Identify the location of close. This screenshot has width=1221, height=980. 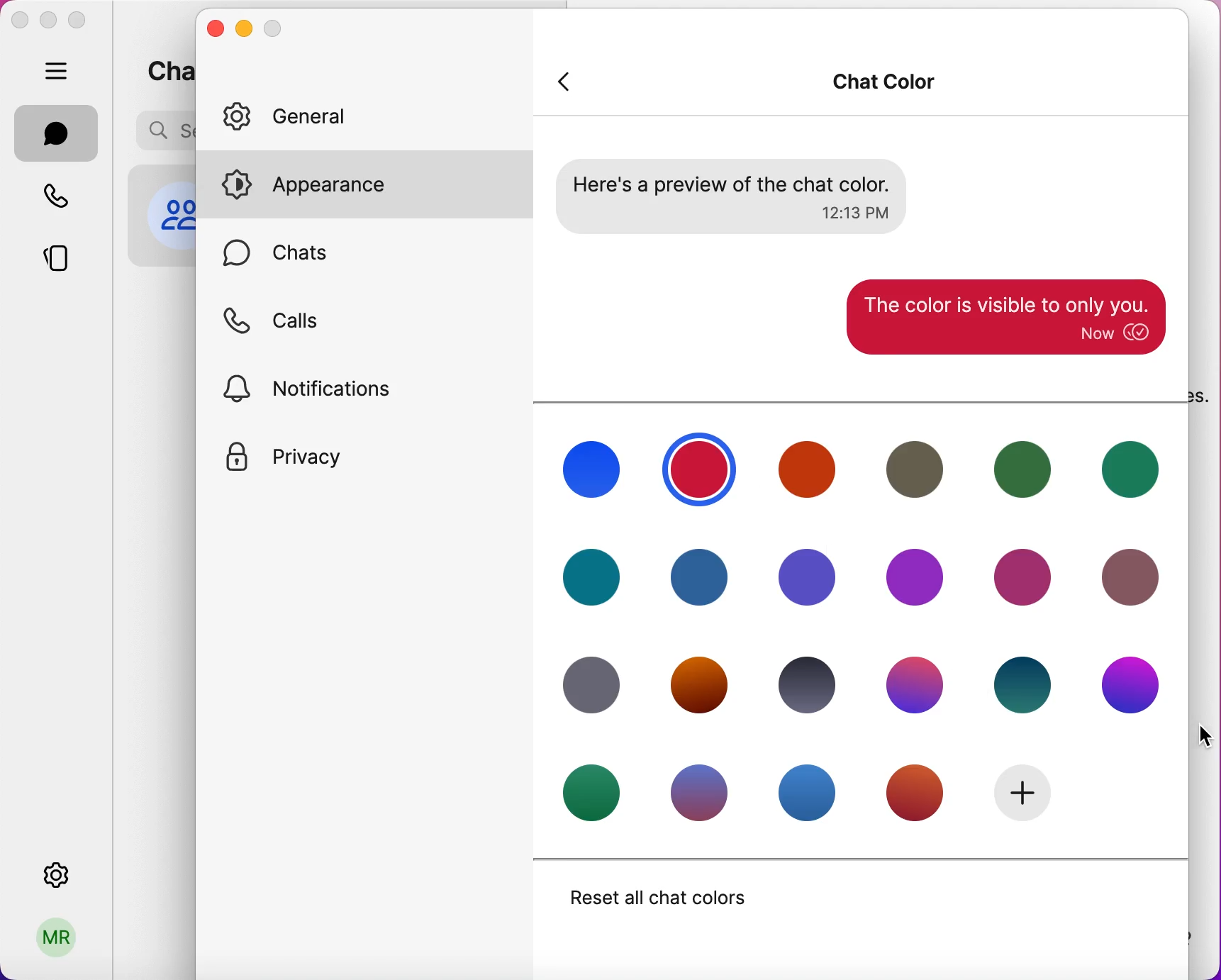
(217, 29).